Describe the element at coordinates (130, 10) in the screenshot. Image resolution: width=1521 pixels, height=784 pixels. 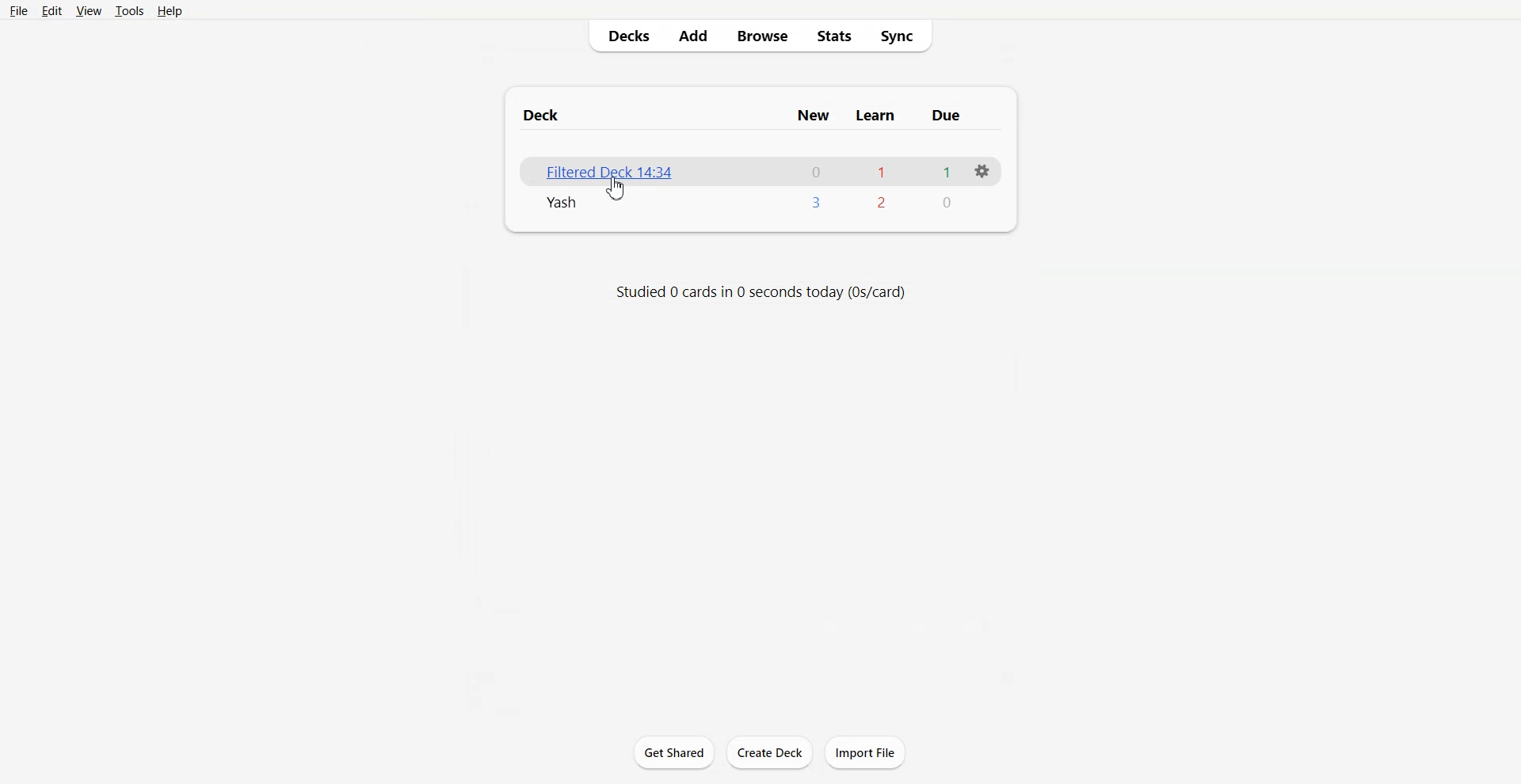
I see `Tools` at that location.